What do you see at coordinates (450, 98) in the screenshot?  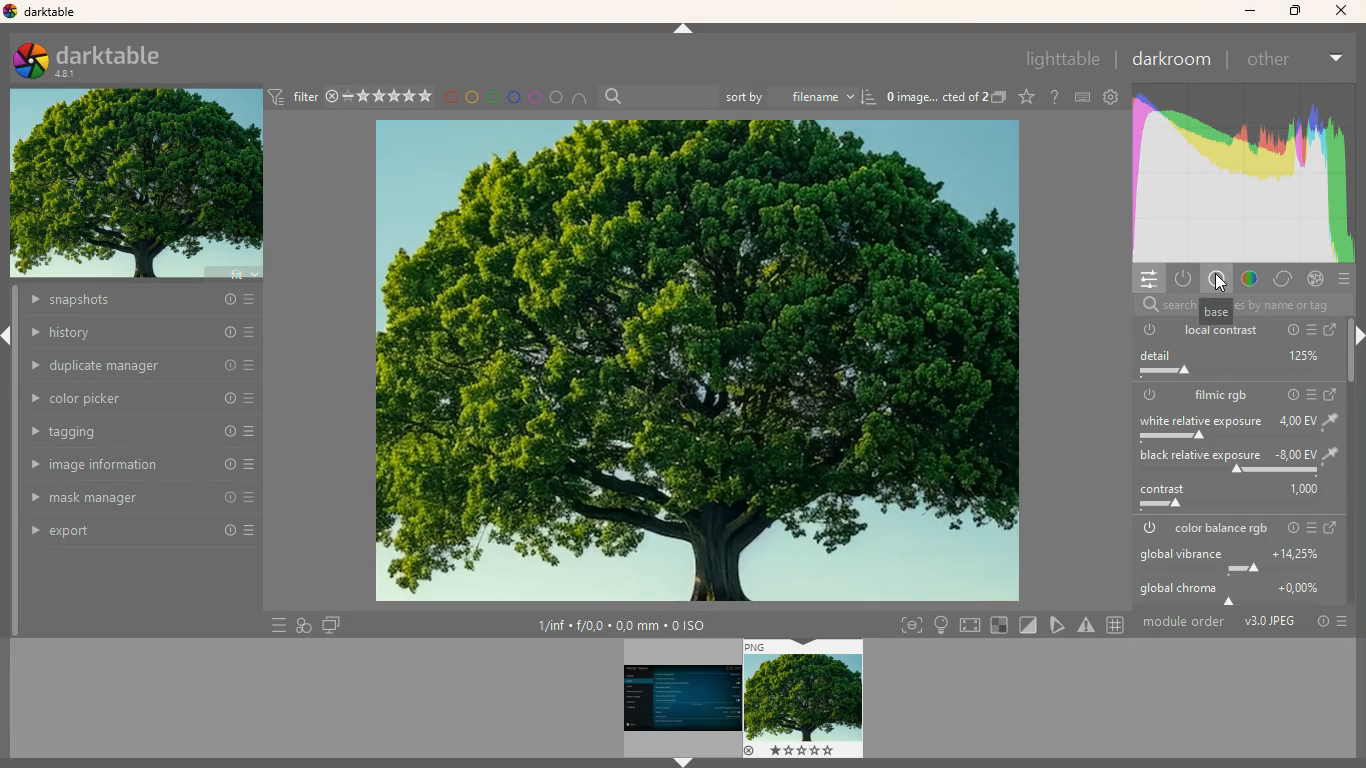 I see `red circle` at bounding box center [450, 98].